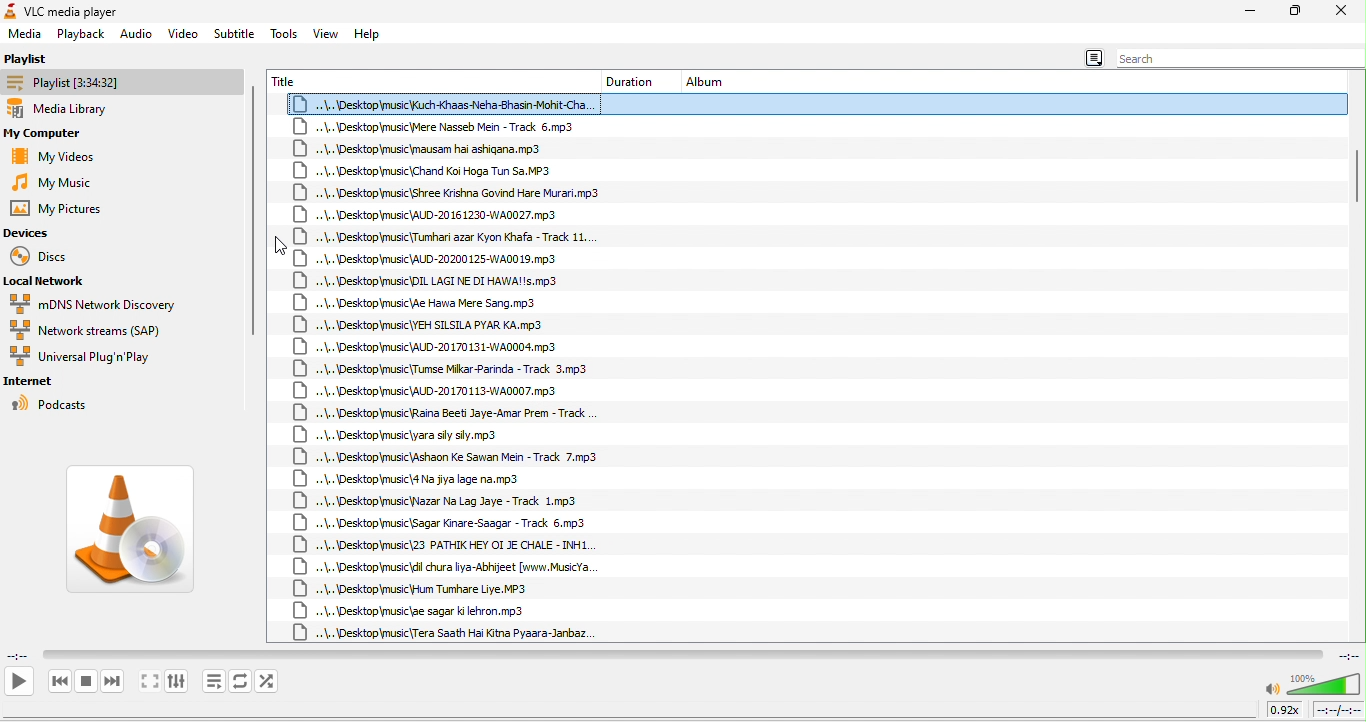 Image resolution: width=1366 pixels, height=722 pixels. What do you see at coordinates (235, 32) in the screenshot?
I see `subtitle` at bounding box center [235, 32].